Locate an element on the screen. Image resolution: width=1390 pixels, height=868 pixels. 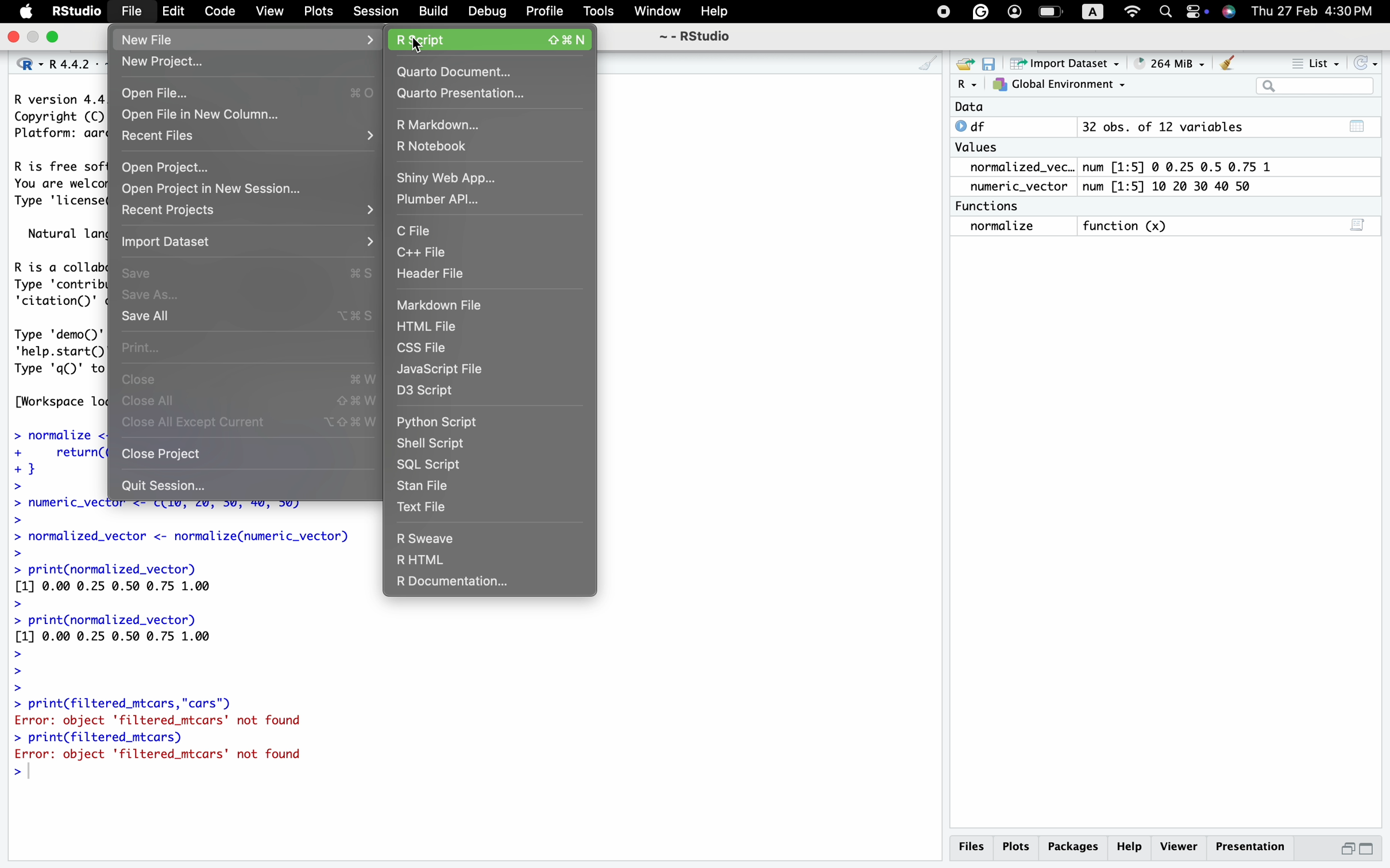
recent files is located at coordinates (250, 138).